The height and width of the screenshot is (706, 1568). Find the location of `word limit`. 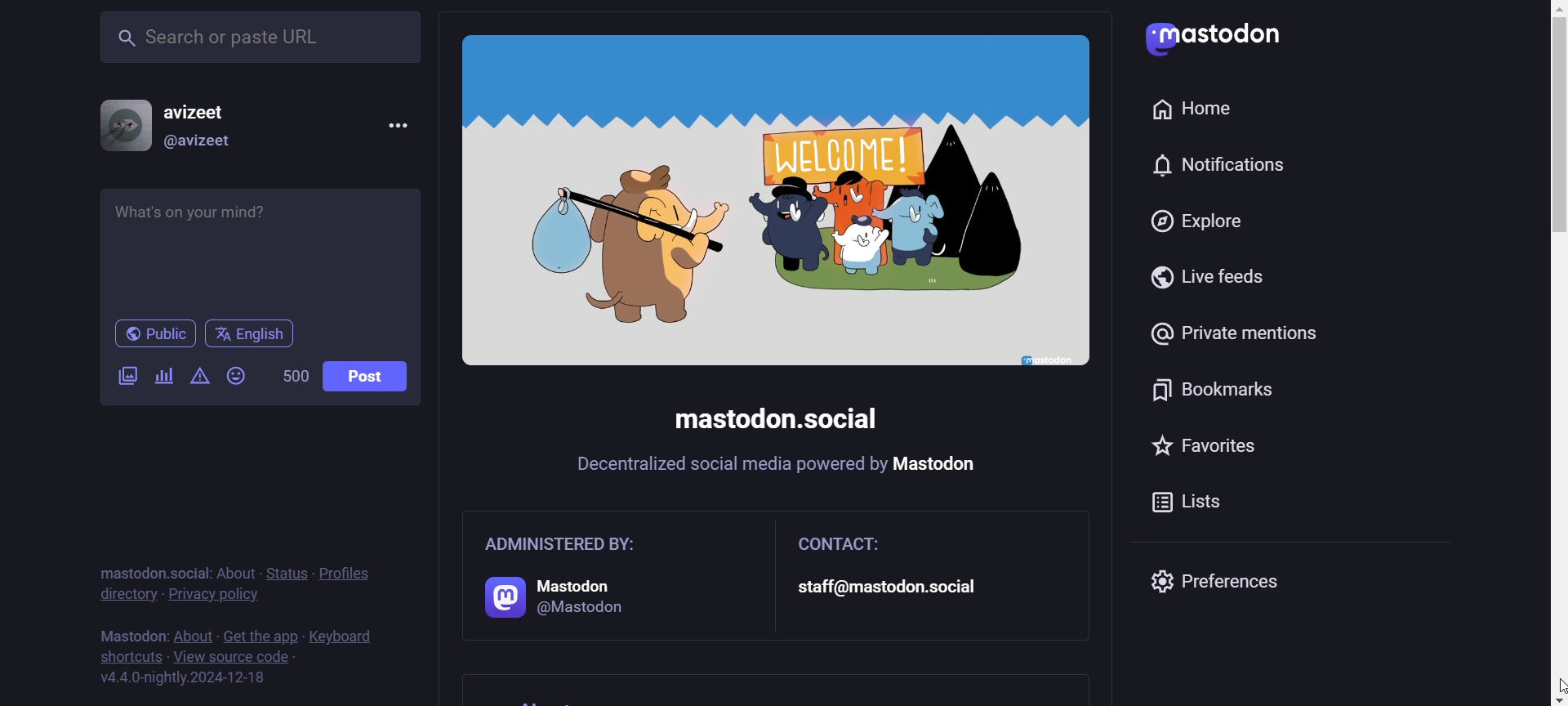

word limit is located at coordinates (292, 378).